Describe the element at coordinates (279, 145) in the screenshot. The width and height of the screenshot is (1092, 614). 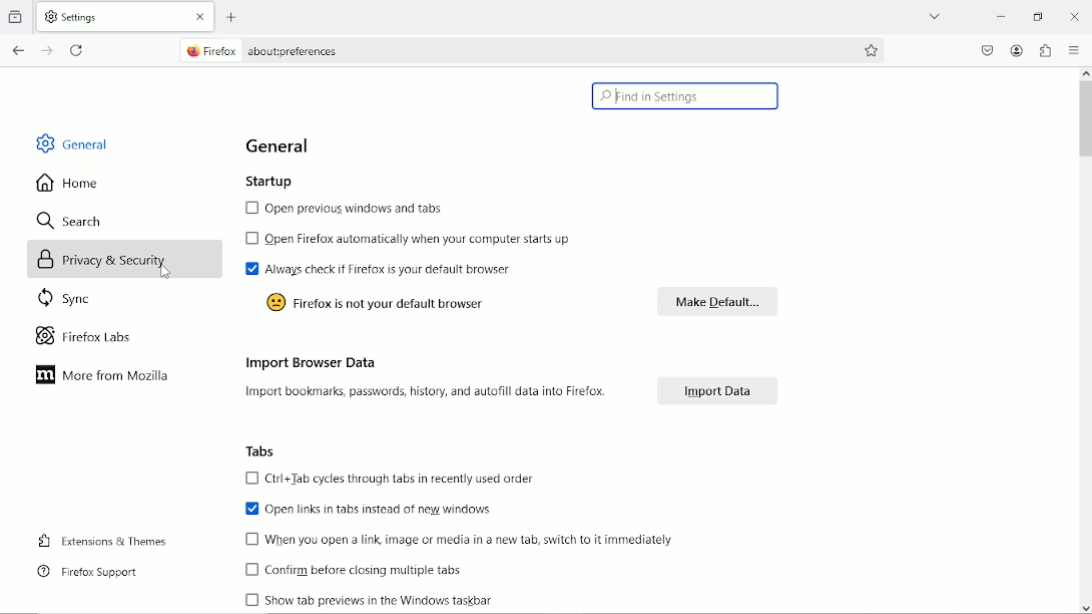
I see `general` at that location.